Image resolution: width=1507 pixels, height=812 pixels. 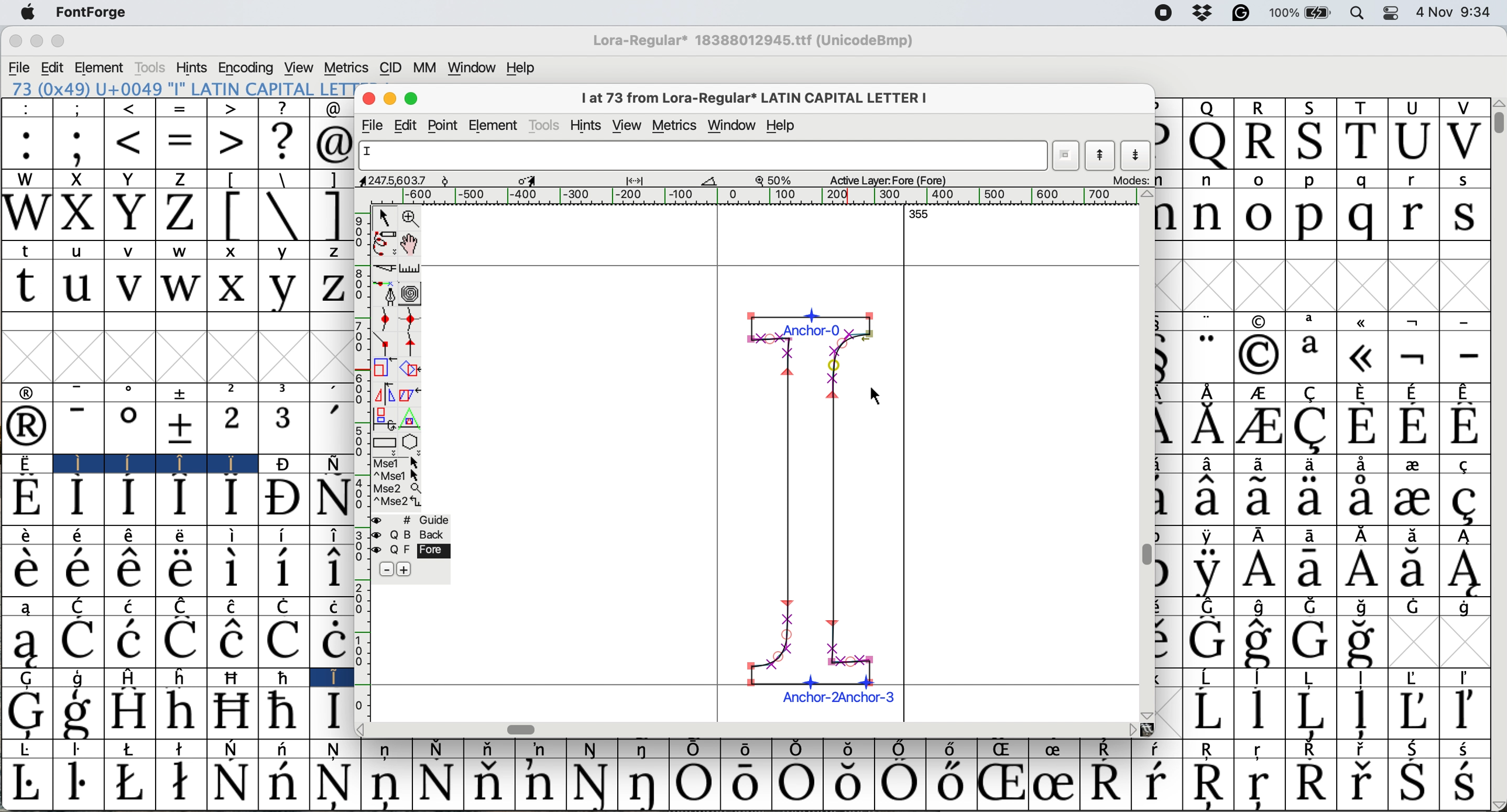 I want to click on Symbol, so click(x=232, y=498).